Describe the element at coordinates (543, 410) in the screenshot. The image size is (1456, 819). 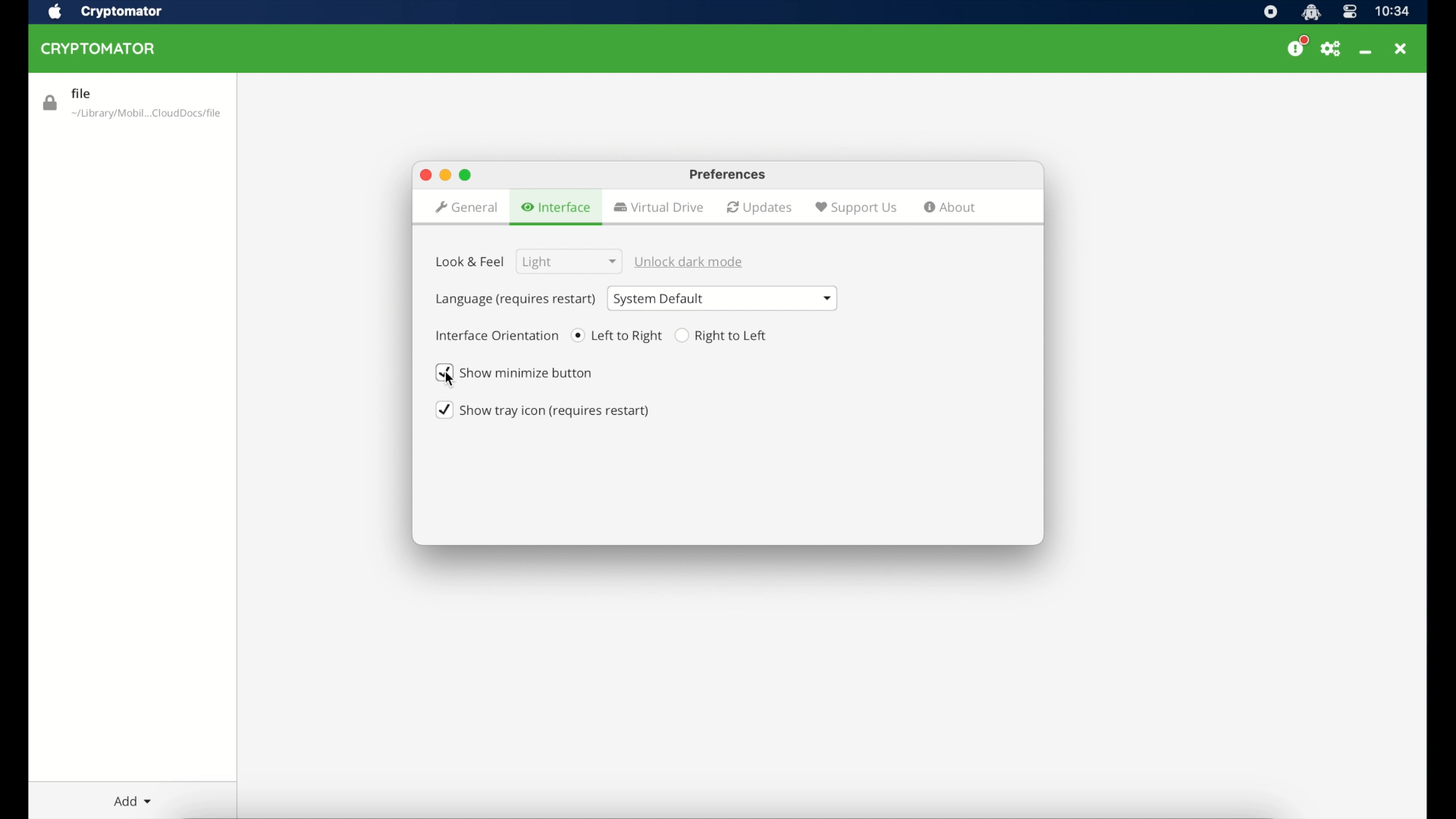
I see `checkbox` at that location.